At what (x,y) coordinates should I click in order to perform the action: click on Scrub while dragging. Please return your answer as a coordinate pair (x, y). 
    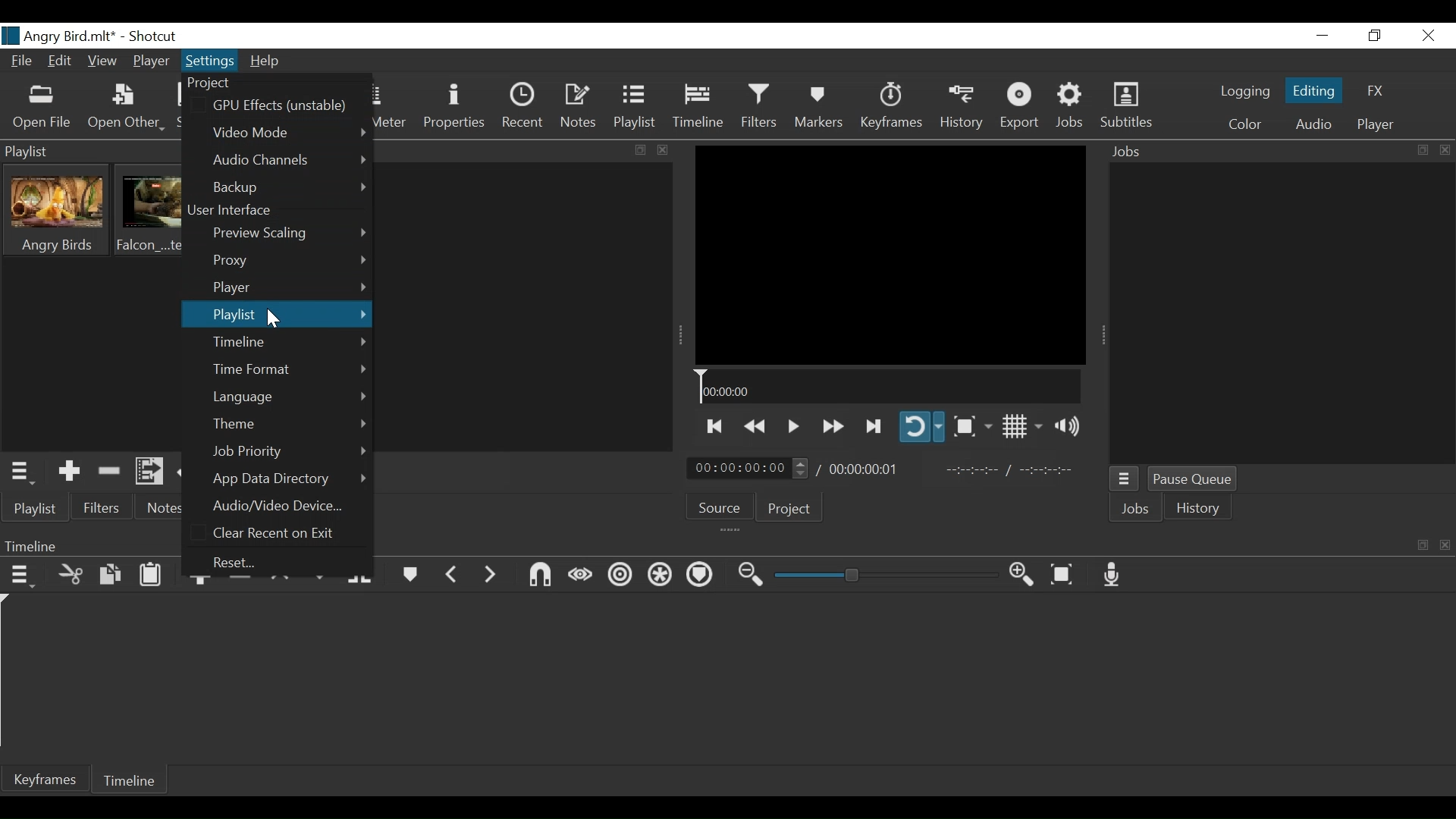
    Looking at the image, I should click on (581, 576).